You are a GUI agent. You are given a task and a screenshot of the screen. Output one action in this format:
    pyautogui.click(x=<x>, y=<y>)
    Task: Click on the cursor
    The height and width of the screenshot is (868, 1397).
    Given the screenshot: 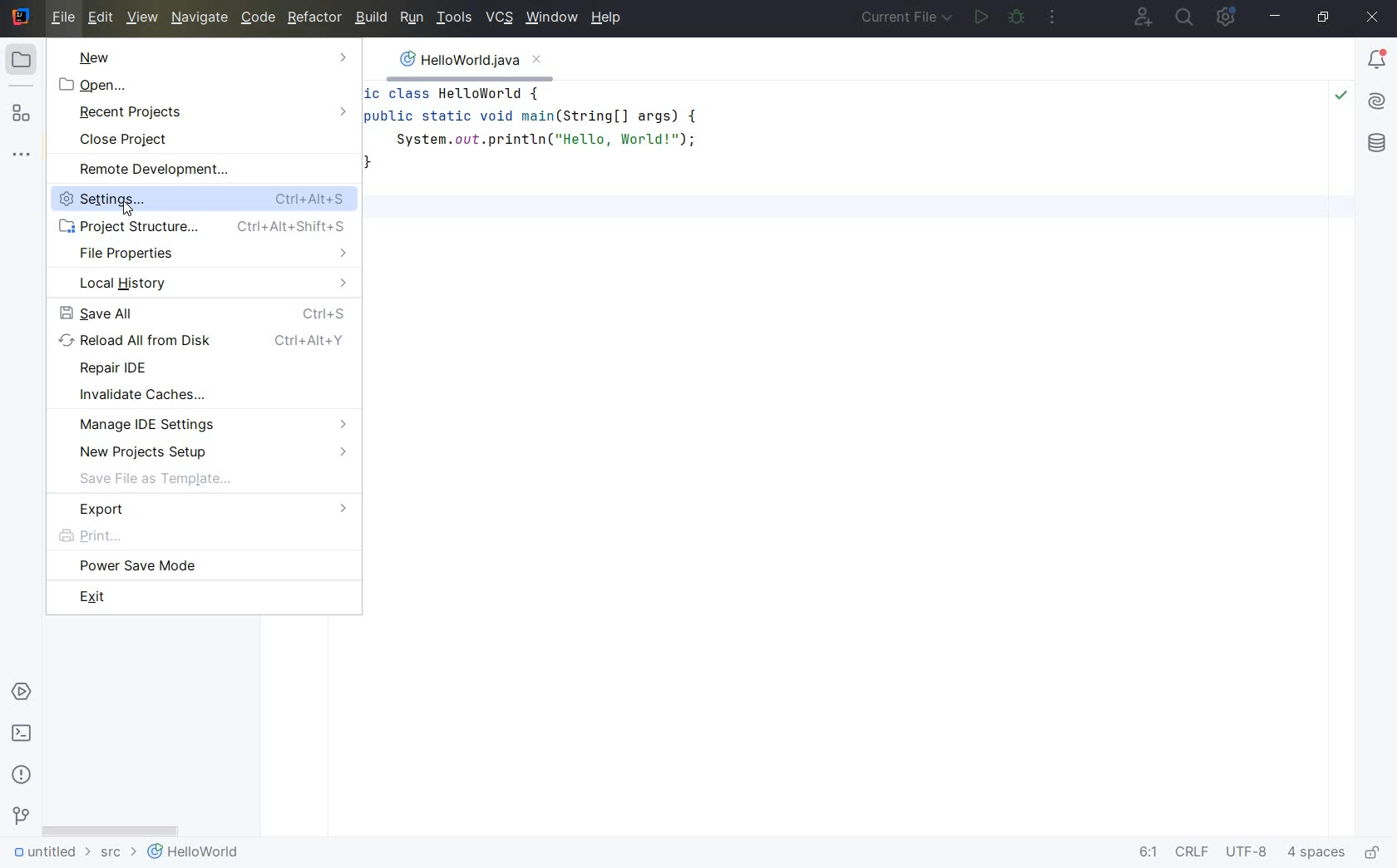 What is the action you would take?
    pyautogui.click(x=134, y=209)
    